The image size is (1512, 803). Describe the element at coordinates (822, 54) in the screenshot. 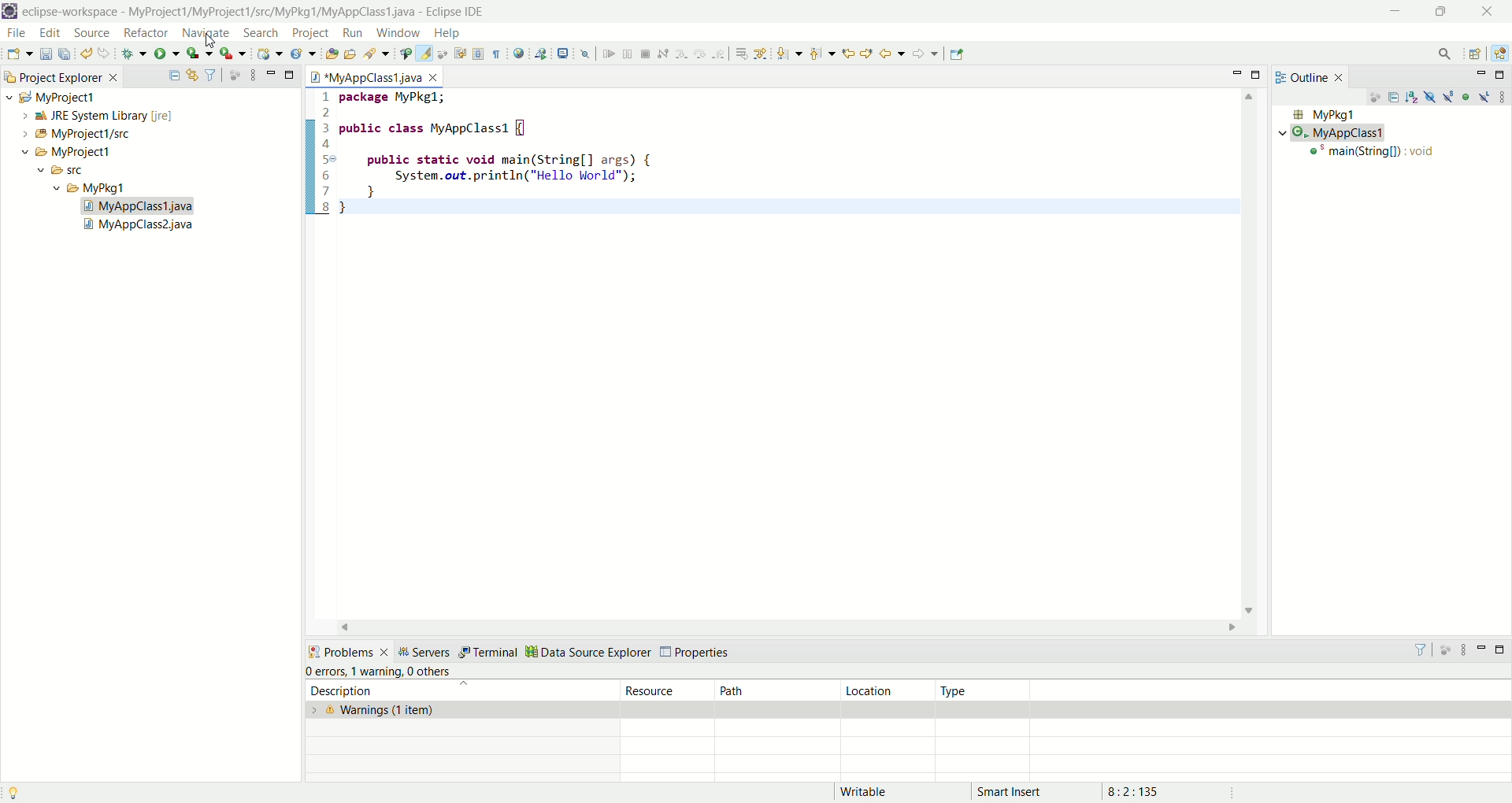

I see `previous annotation` at that location.